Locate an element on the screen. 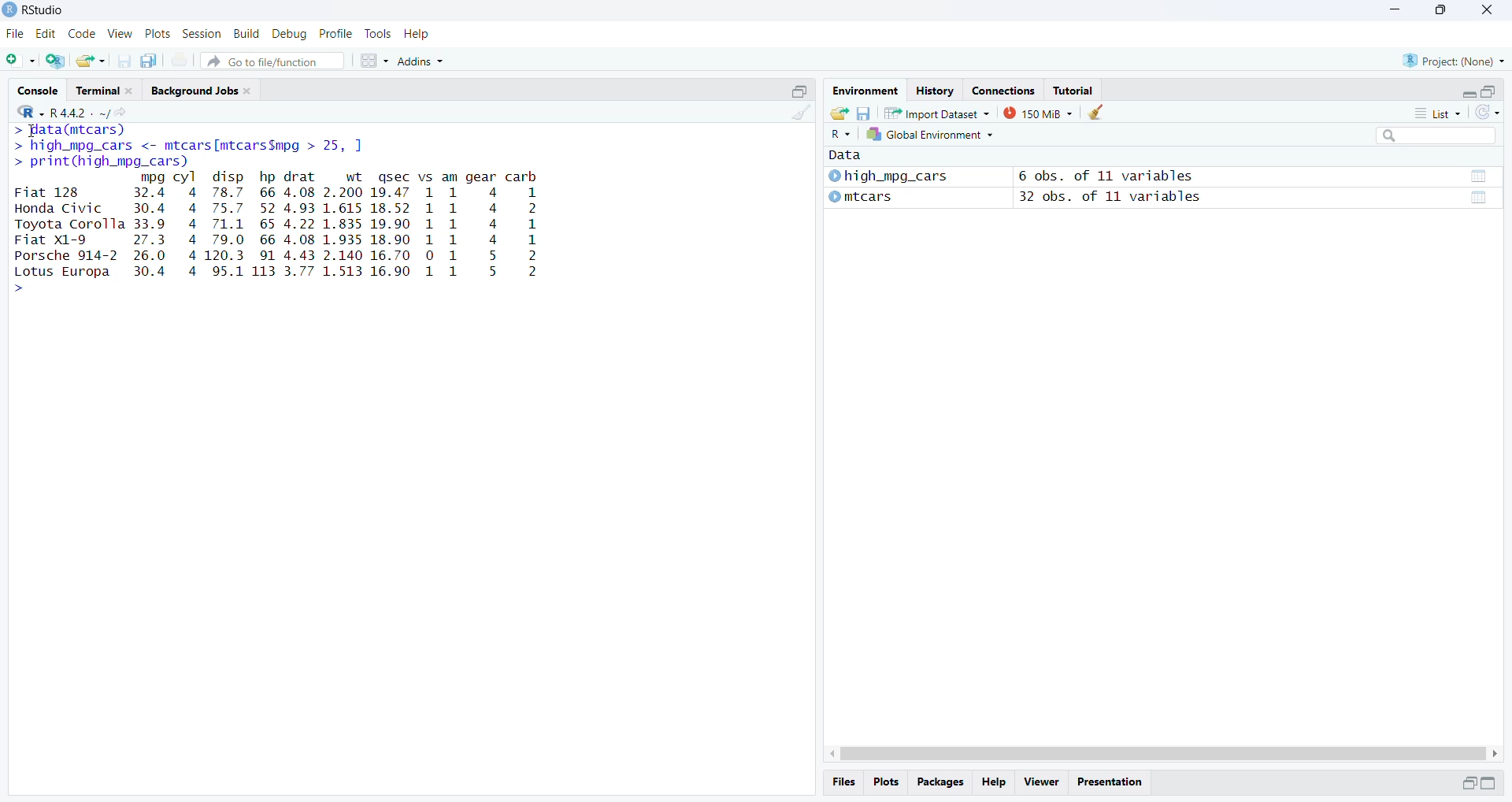 The width and height of the screenshot is (1512, 802). data(mtcars) is located at coordinates (69, 130).